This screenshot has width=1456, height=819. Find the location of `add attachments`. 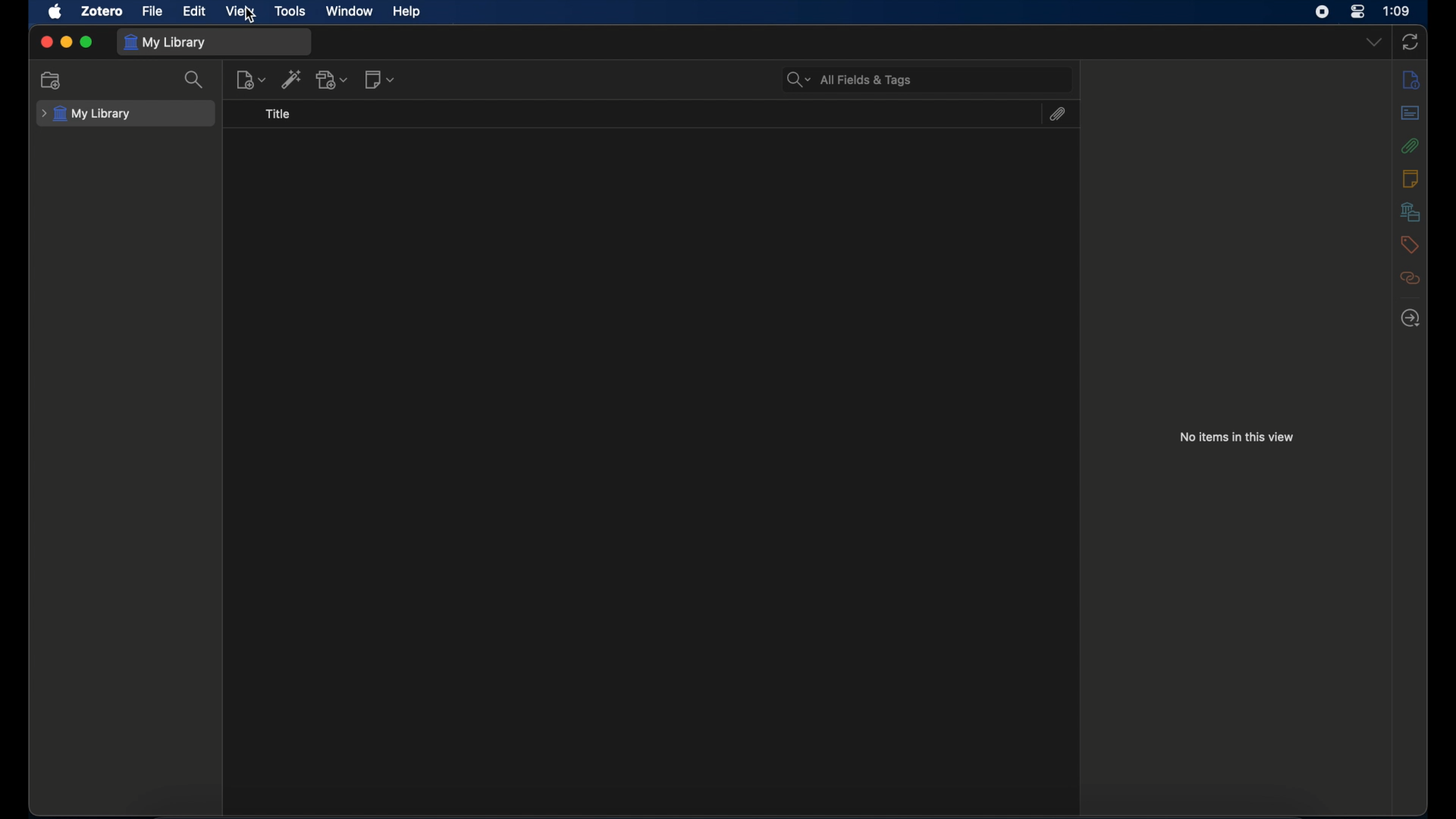

add attachments is located at coordinates (332, 79).